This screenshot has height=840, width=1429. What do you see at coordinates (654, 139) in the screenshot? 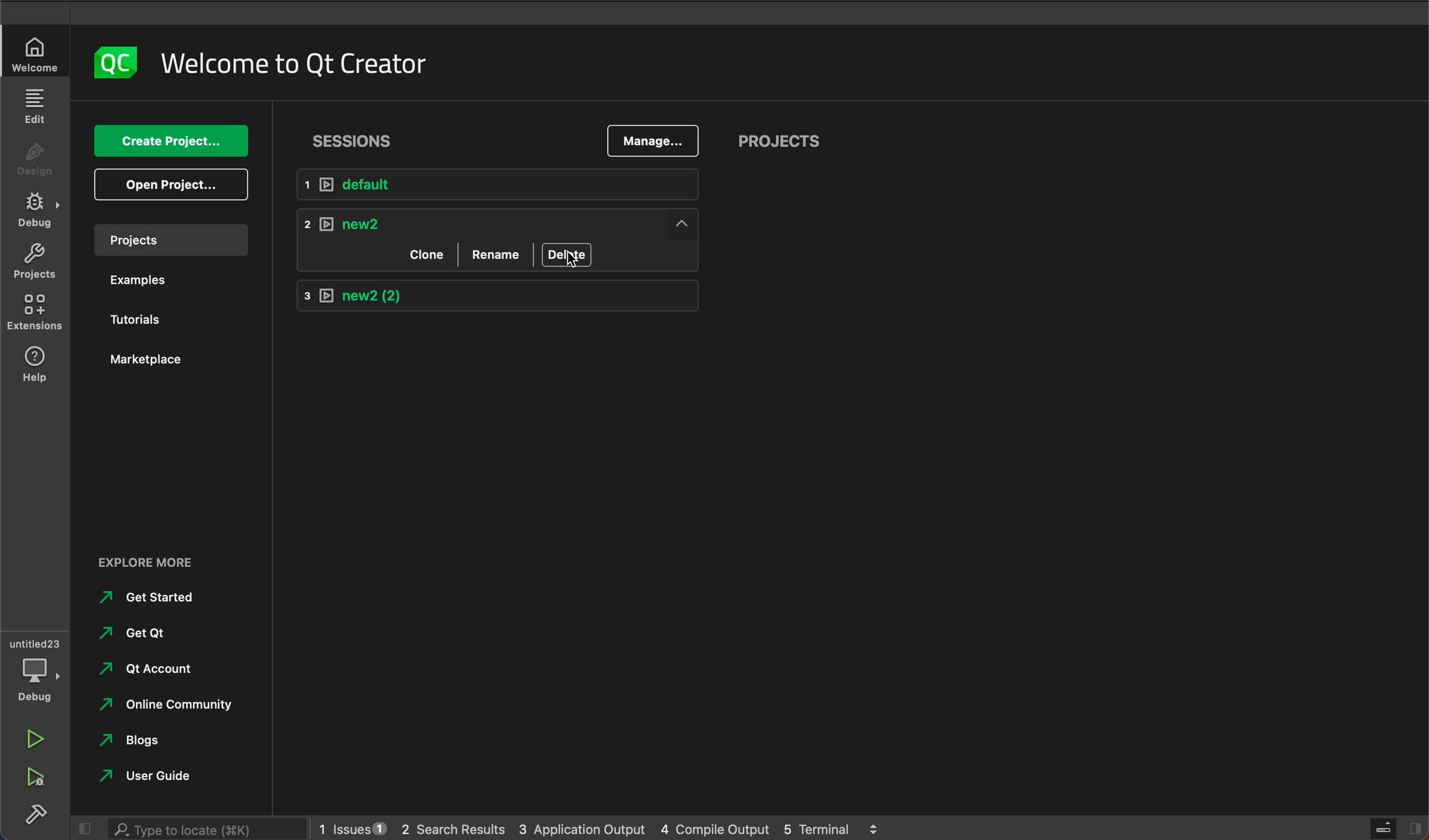
I see `manage` at bounding box center [654, 139].